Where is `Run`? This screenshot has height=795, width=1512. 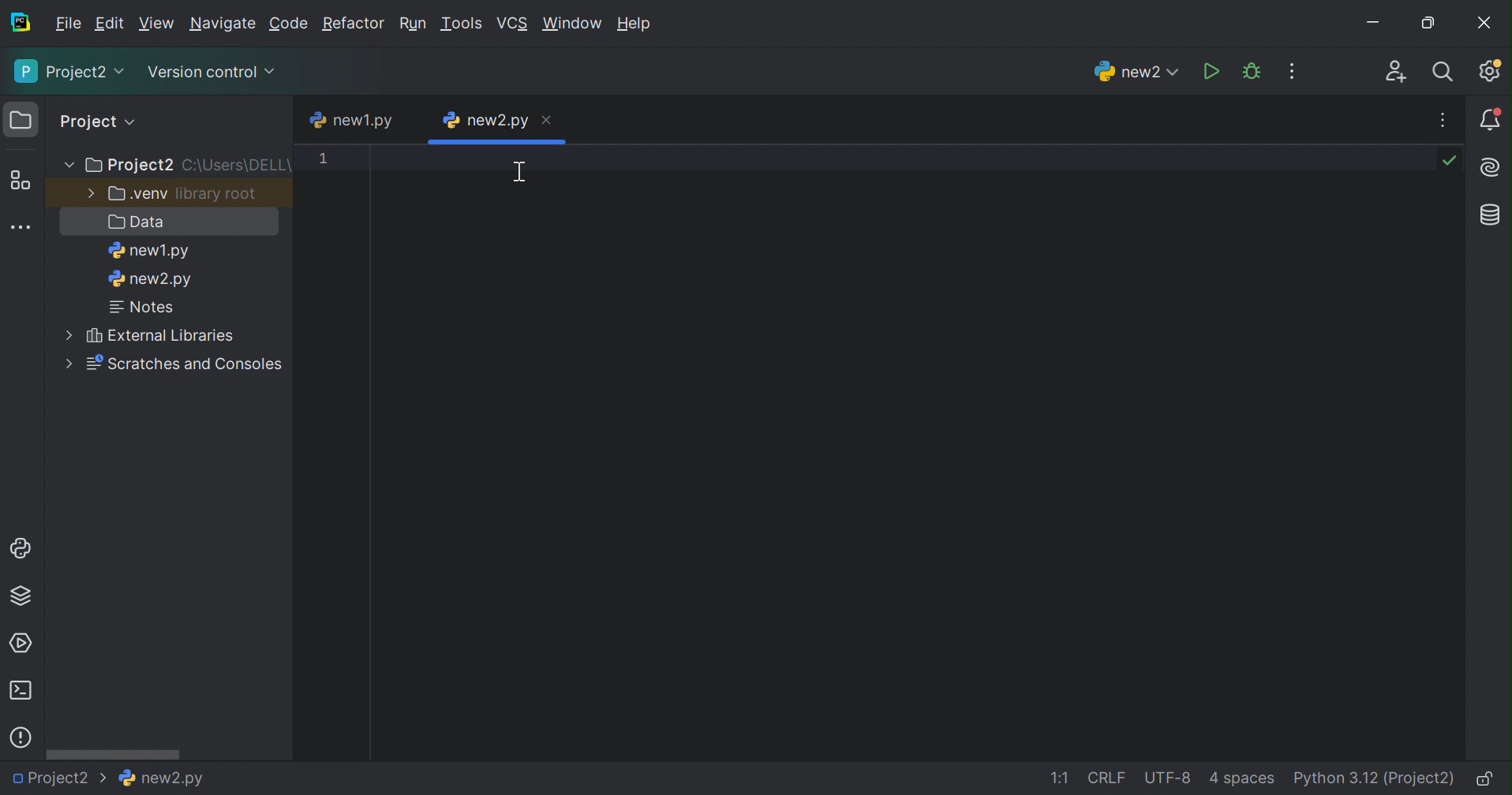
Run is located at coordinates (414, 21).